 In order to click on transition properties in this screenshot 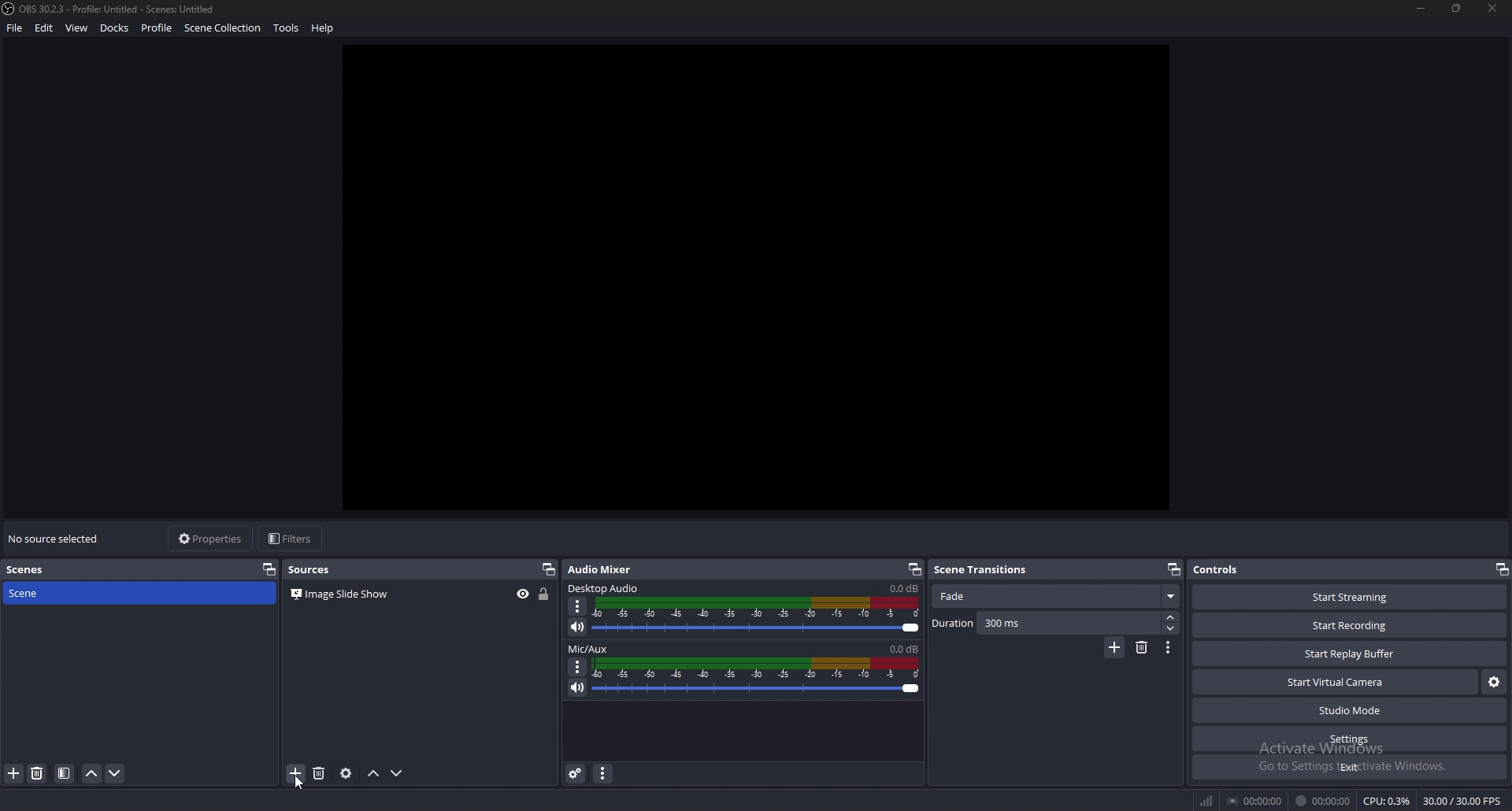, I will do `click(1167, 648)`.